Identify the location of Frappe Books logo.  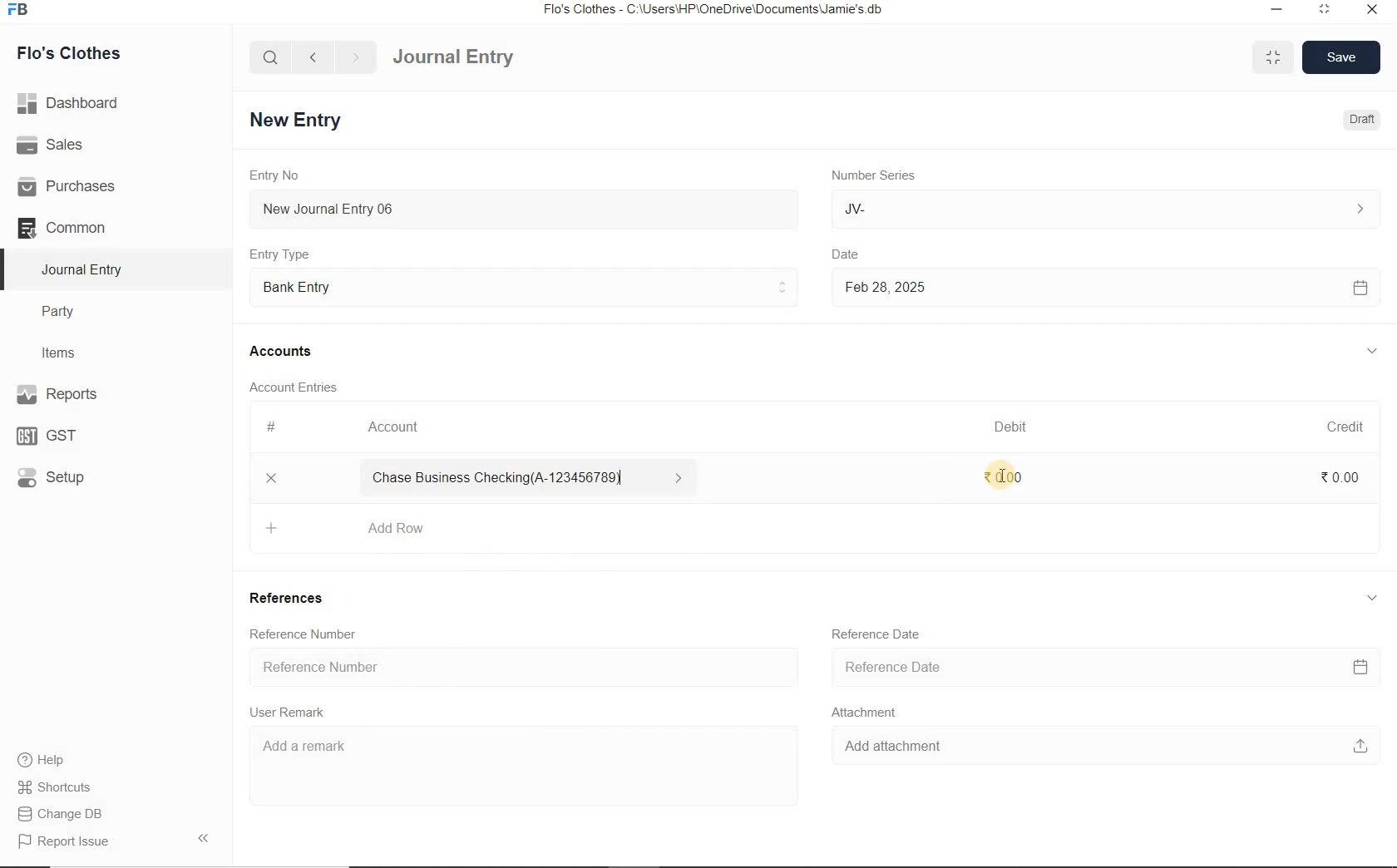
(22, 12).